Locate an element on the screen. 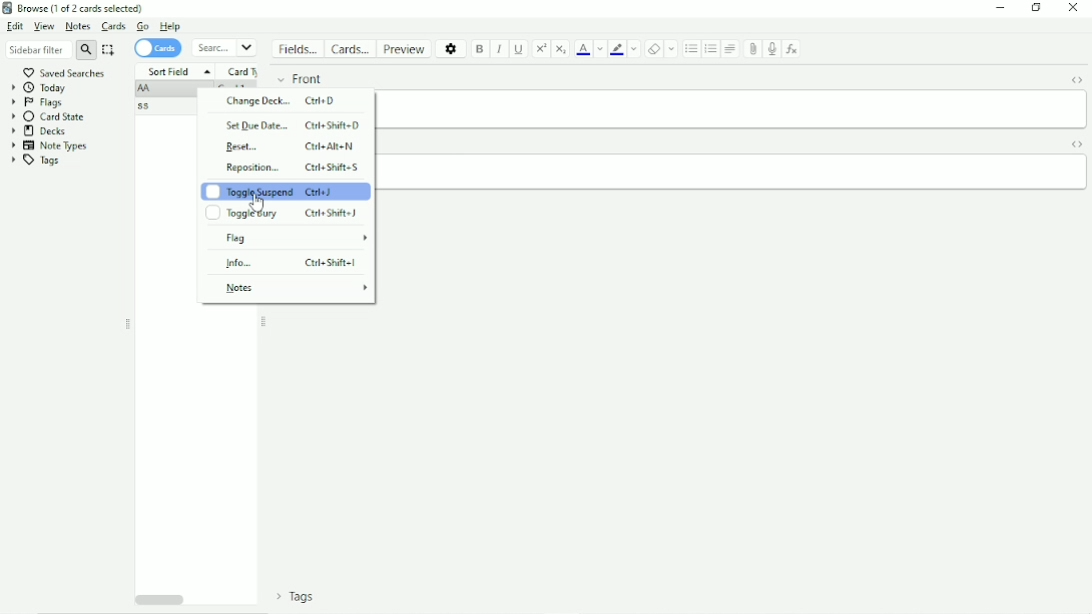 Image resolution: width=1092 pixels, height=614 pixels. Change Deck Ctrl + D is located at coordinates (280, 101).